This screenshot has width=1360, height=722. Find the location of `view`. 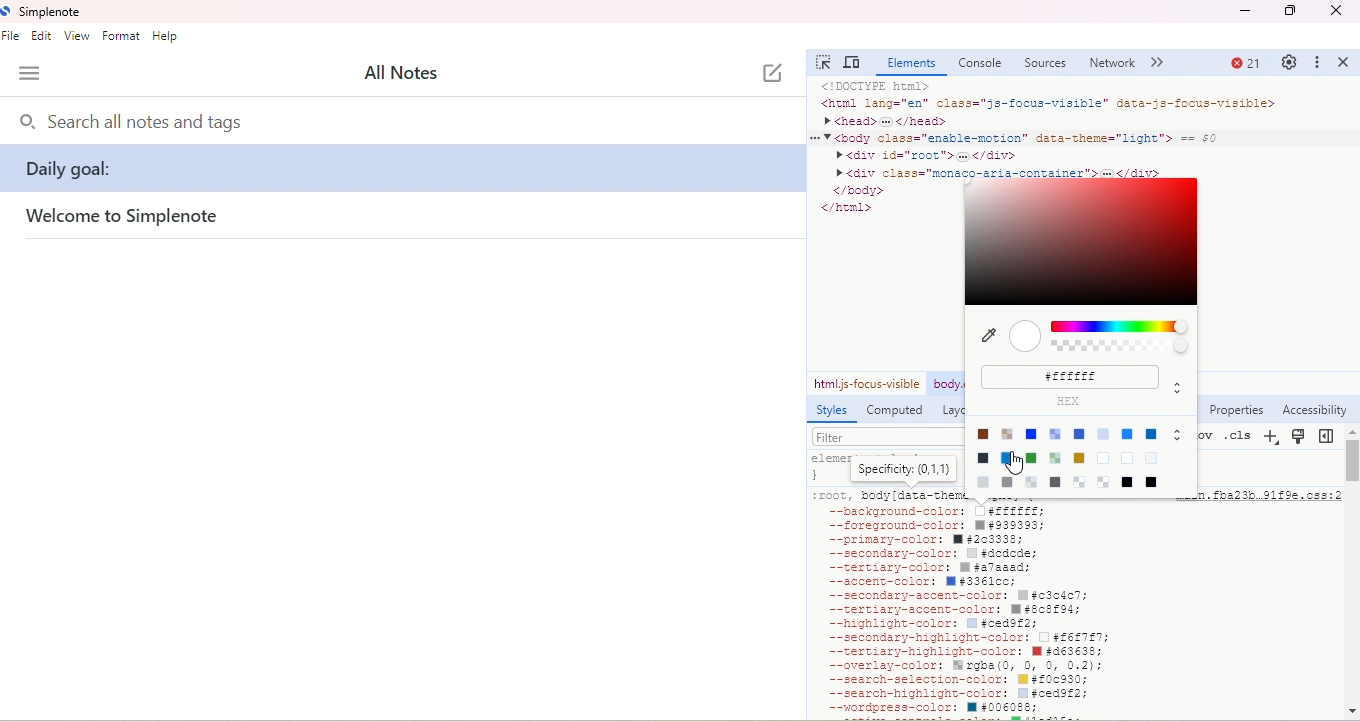

view is located at coordinates (76, 36).